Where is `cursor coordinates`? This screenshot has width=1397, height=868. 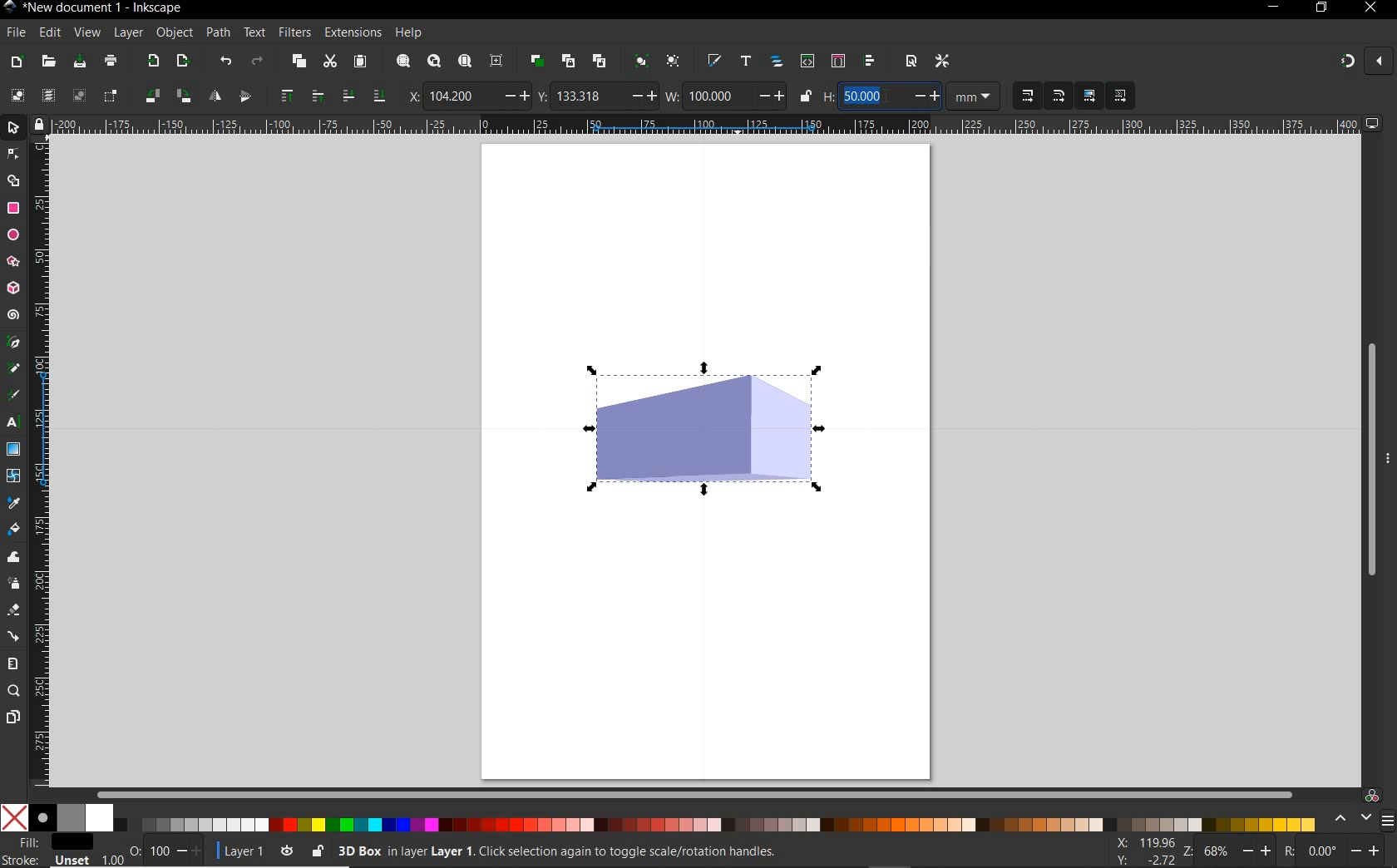 cursor coordinates is located at coordinates (1146, 851).